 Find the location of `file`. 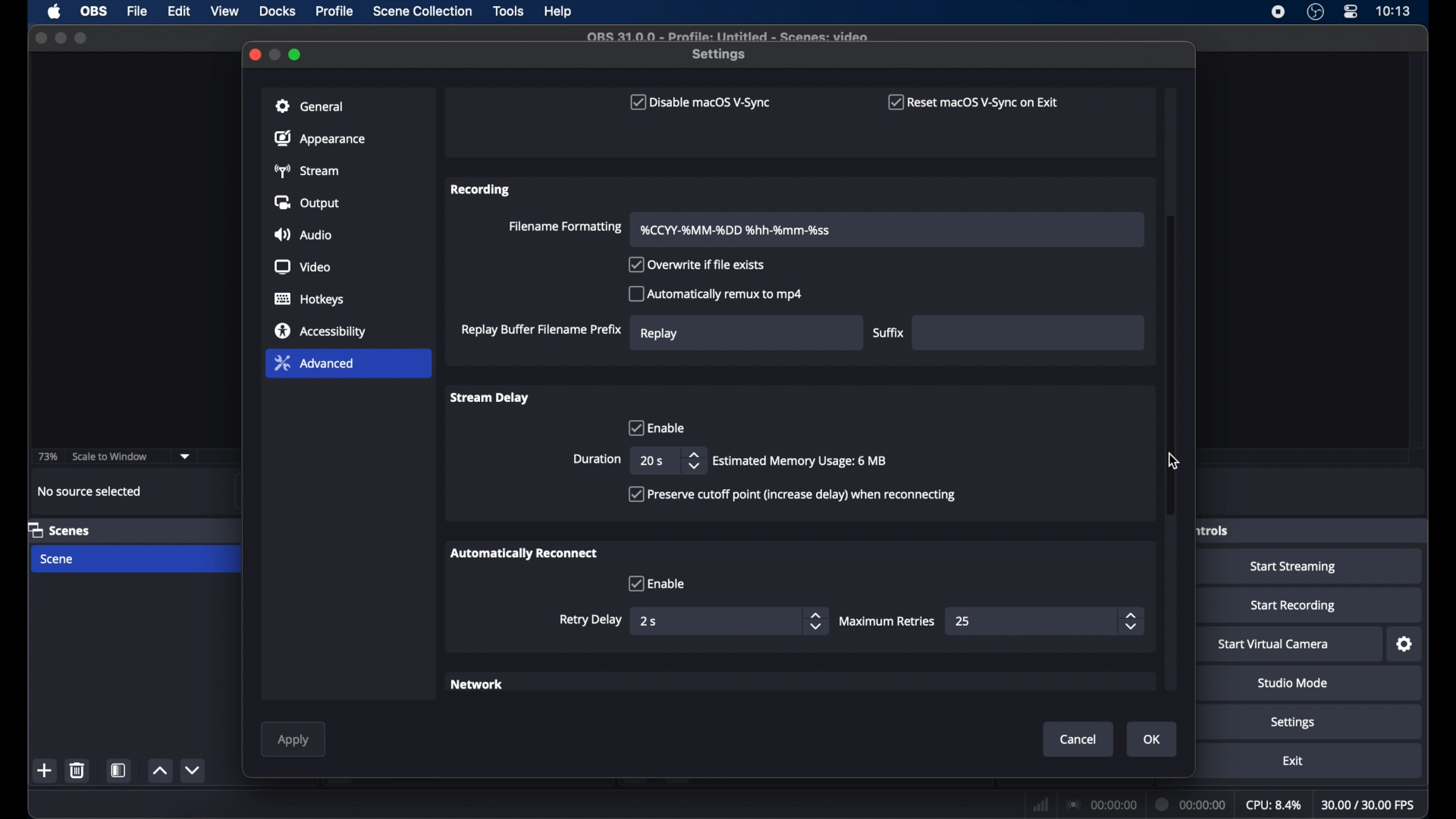

file is located at coordinates (137, 12).